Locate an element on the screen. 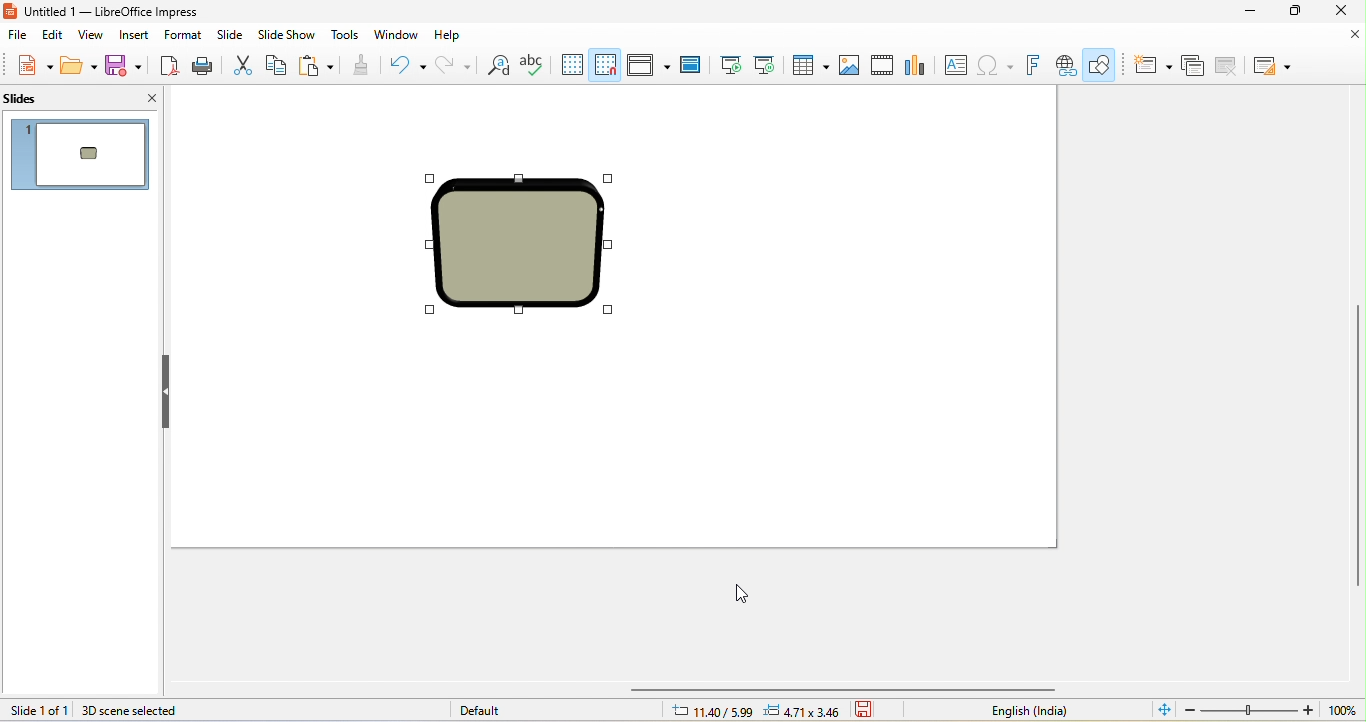 The image size is (1366, 722). image is located at coordinates (852, 64).